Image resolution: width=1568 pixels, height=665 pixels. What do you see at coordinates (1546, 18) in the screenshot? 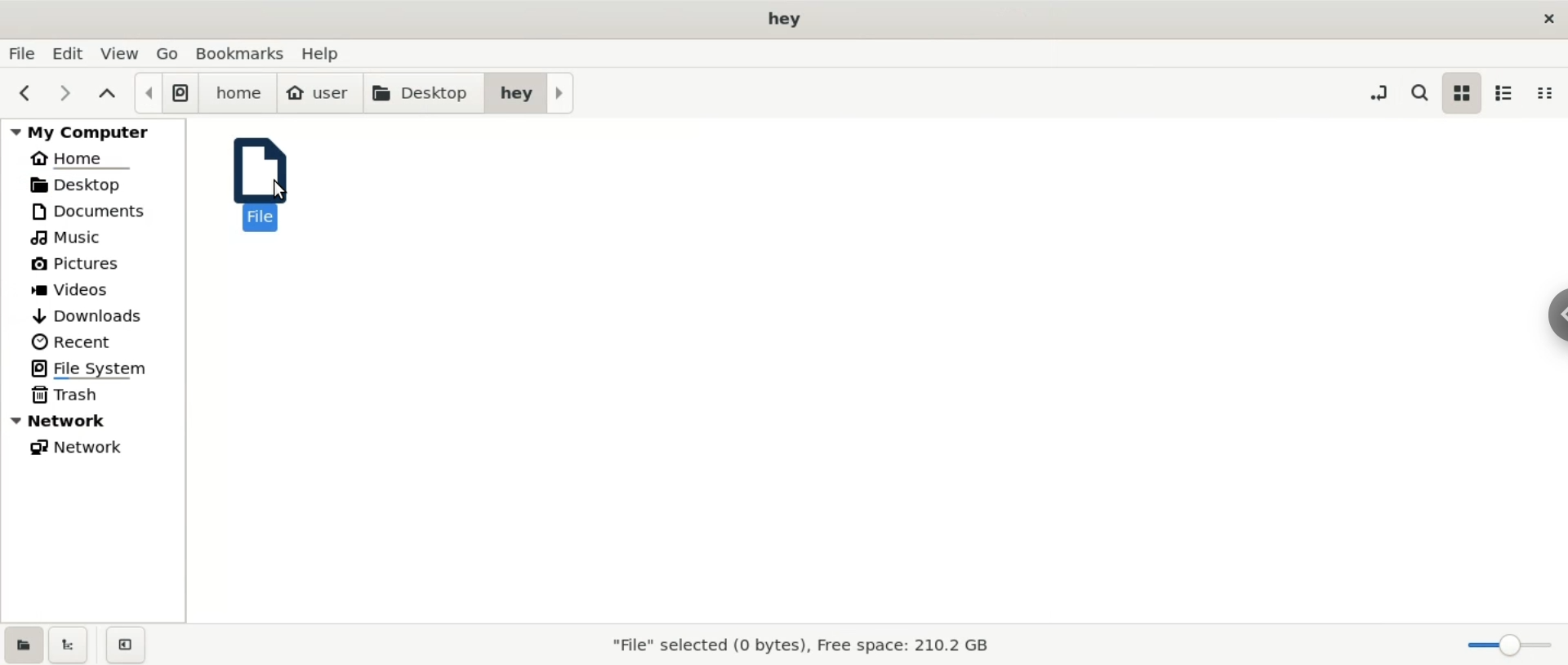
I see `close` at bounding box center [1546, 18].